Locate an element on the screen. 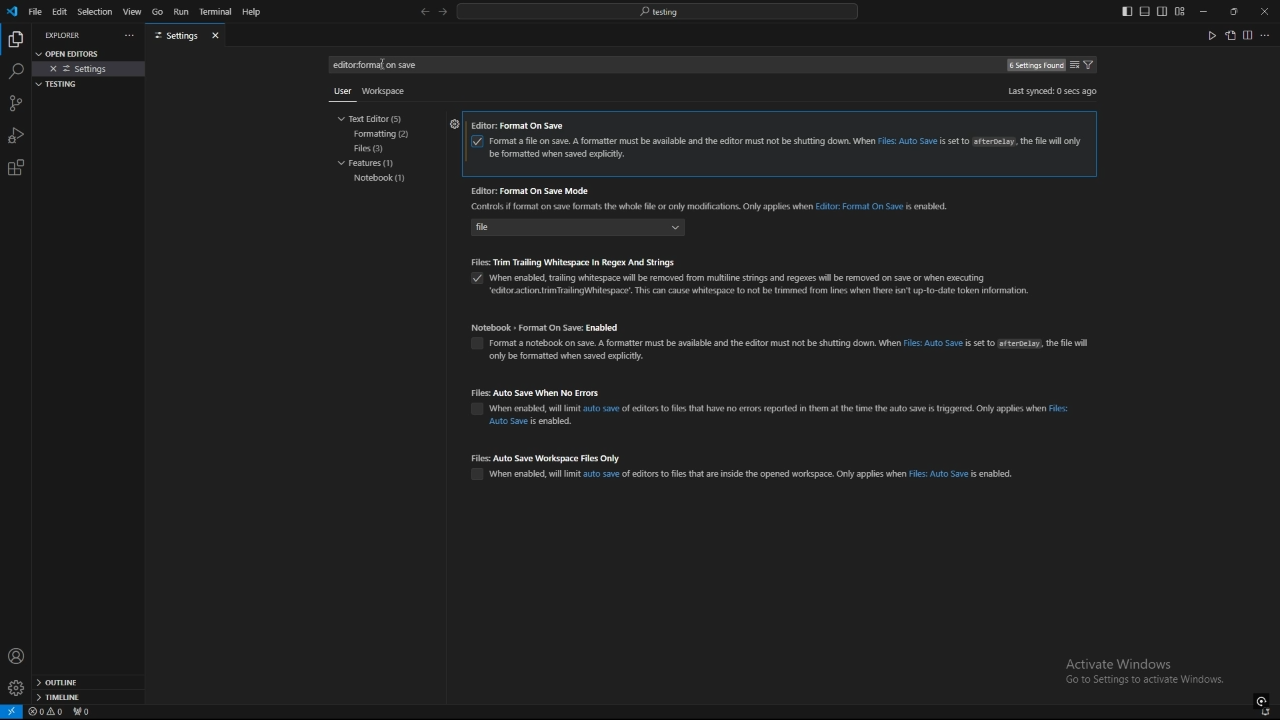  checked is located at coordinates (478, 143).